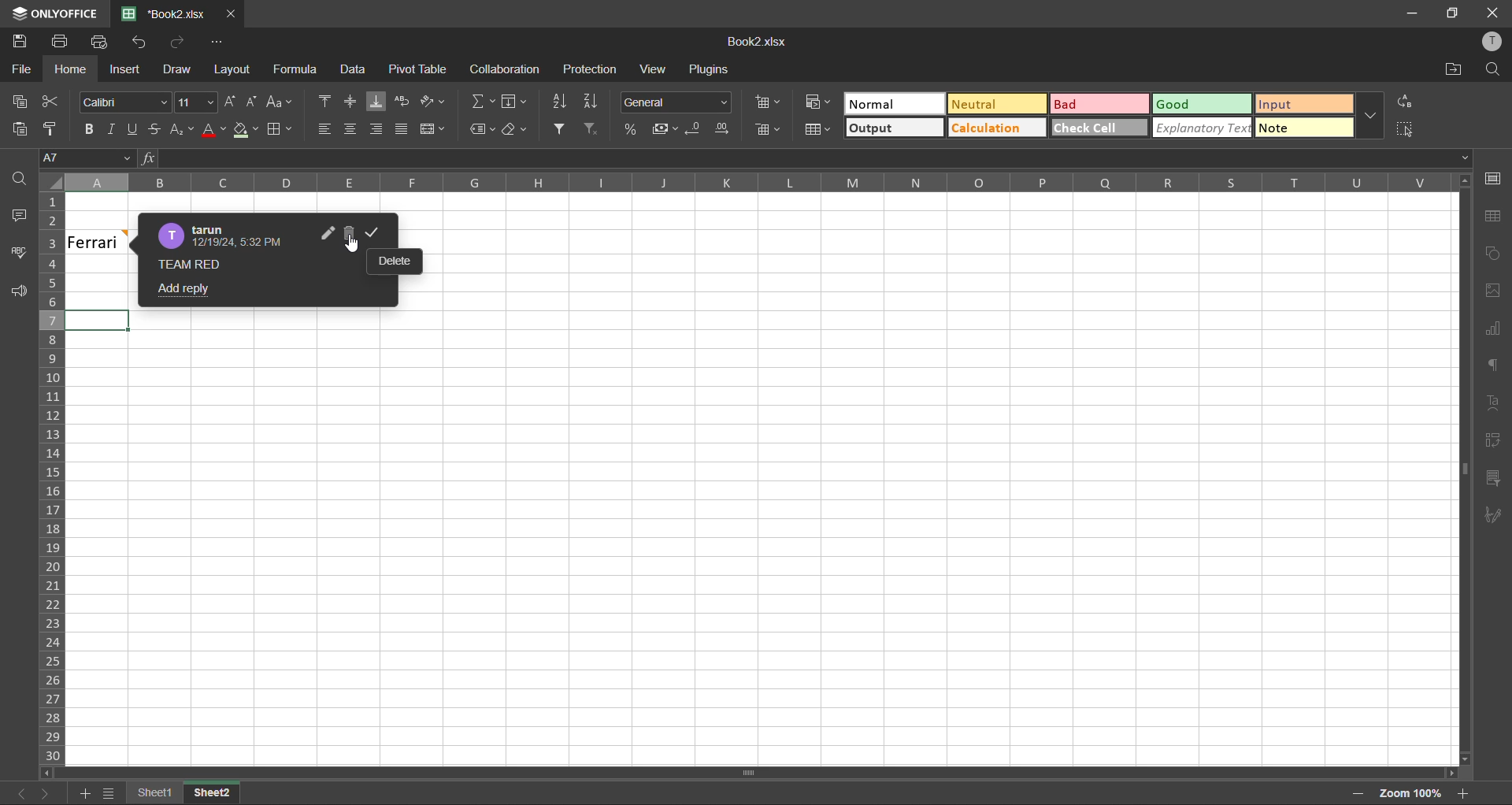  What do you see at coordinates (520, 131) in the screenshot?
I see `clear` at bounding box center [520, 131].